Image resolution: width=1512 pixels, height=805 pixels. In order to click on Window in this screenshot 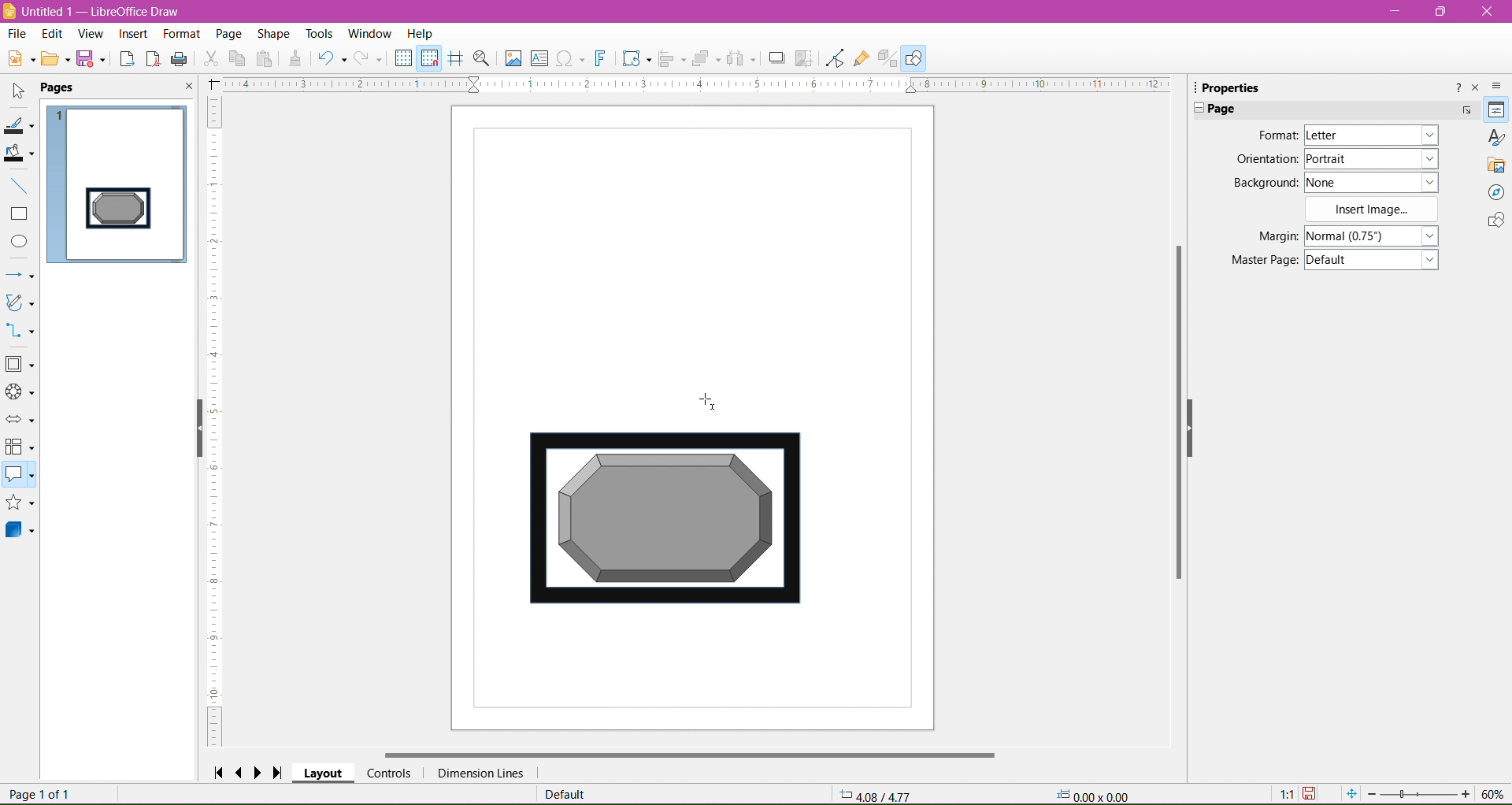, I will do `click(372, 32)`.